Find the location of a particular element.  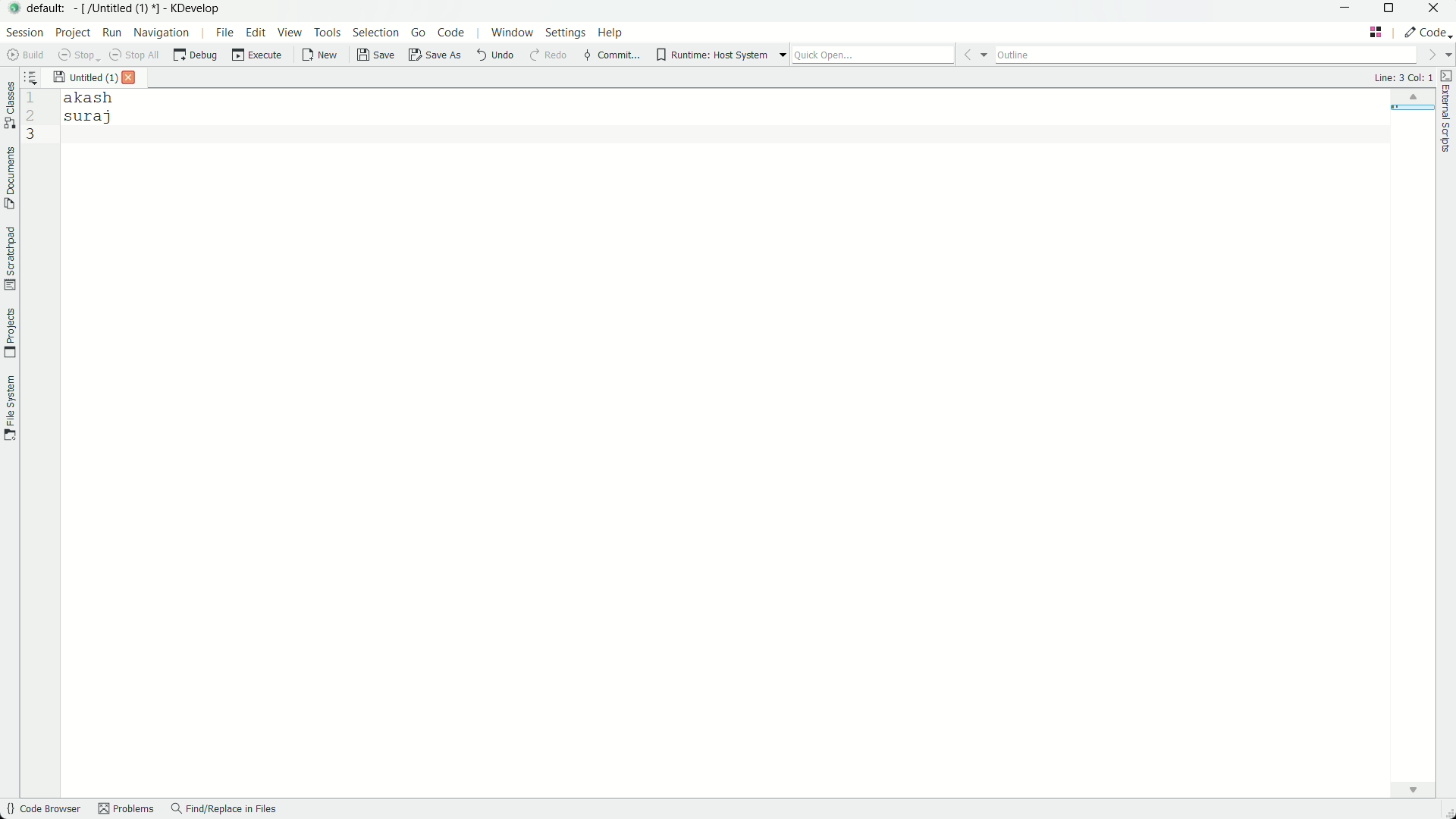

change layout is located at coordinates (1377, 32).